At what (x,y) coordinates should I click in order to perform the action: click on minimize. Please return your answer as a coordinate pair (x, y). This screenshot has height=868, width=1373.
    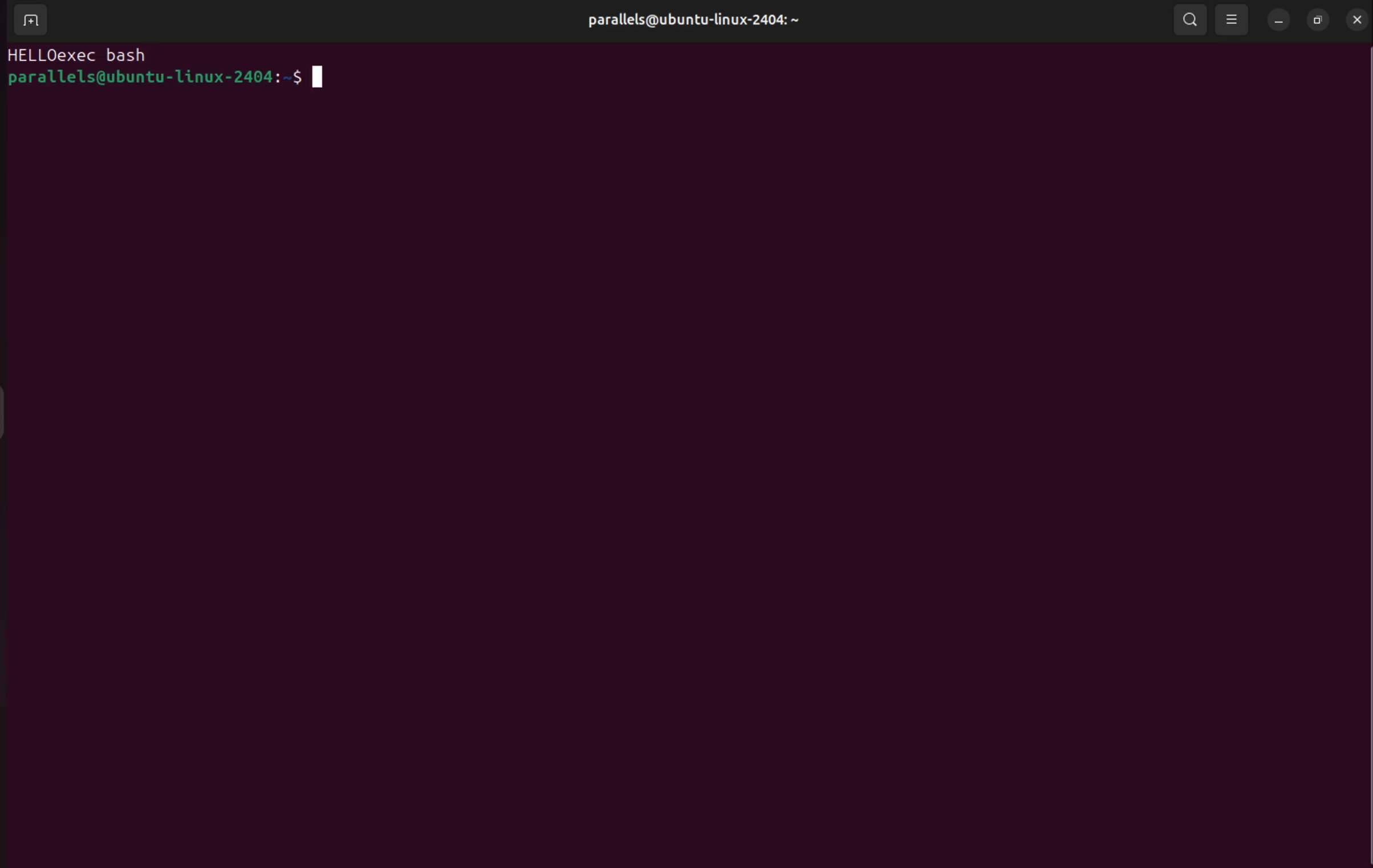
    Looking at the image, I should click on (1279, 20).